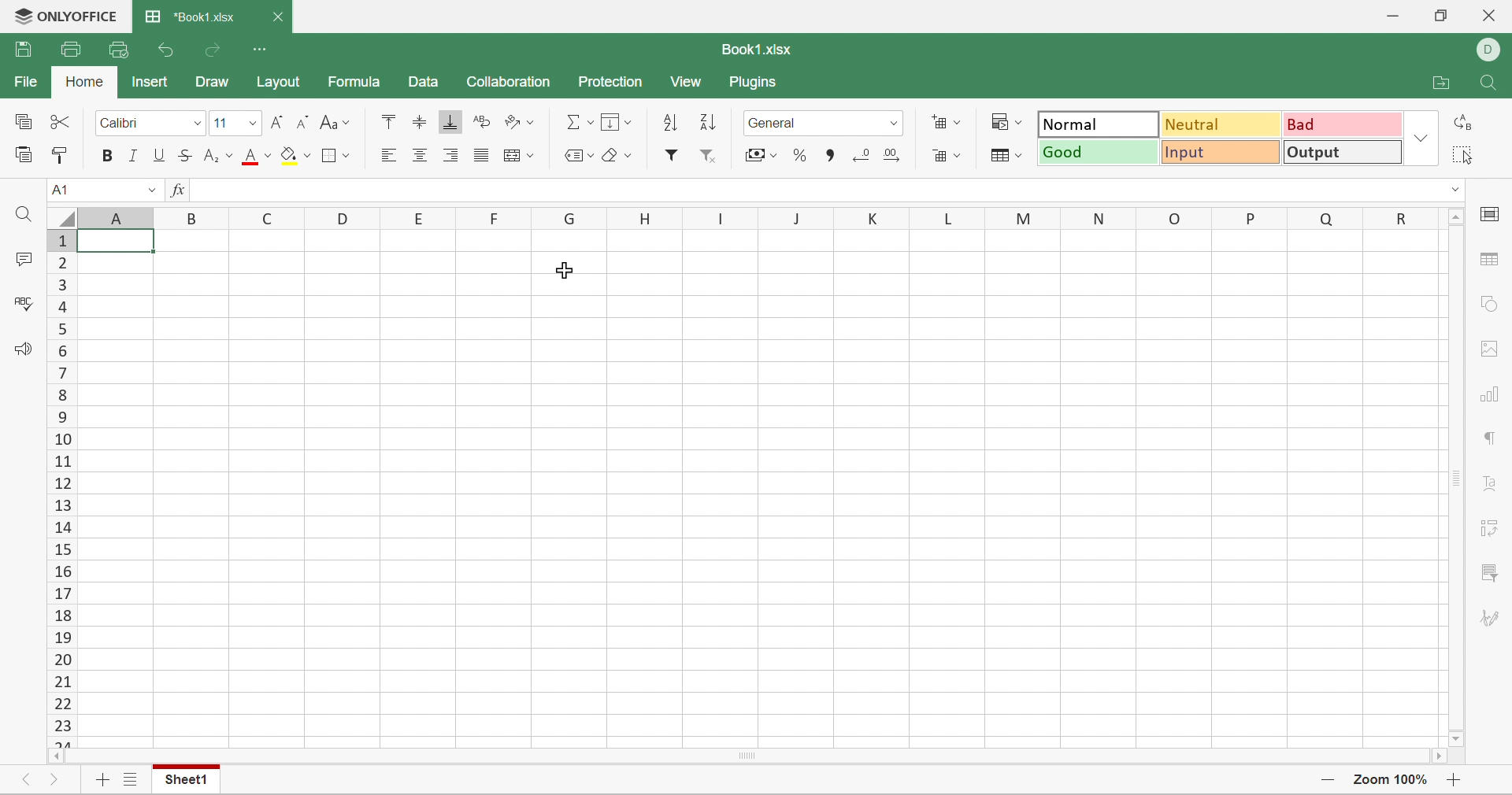  What do you see at coordinates (61, 442) in the screenshot?
I see `10` at bounding box center [61, 442].